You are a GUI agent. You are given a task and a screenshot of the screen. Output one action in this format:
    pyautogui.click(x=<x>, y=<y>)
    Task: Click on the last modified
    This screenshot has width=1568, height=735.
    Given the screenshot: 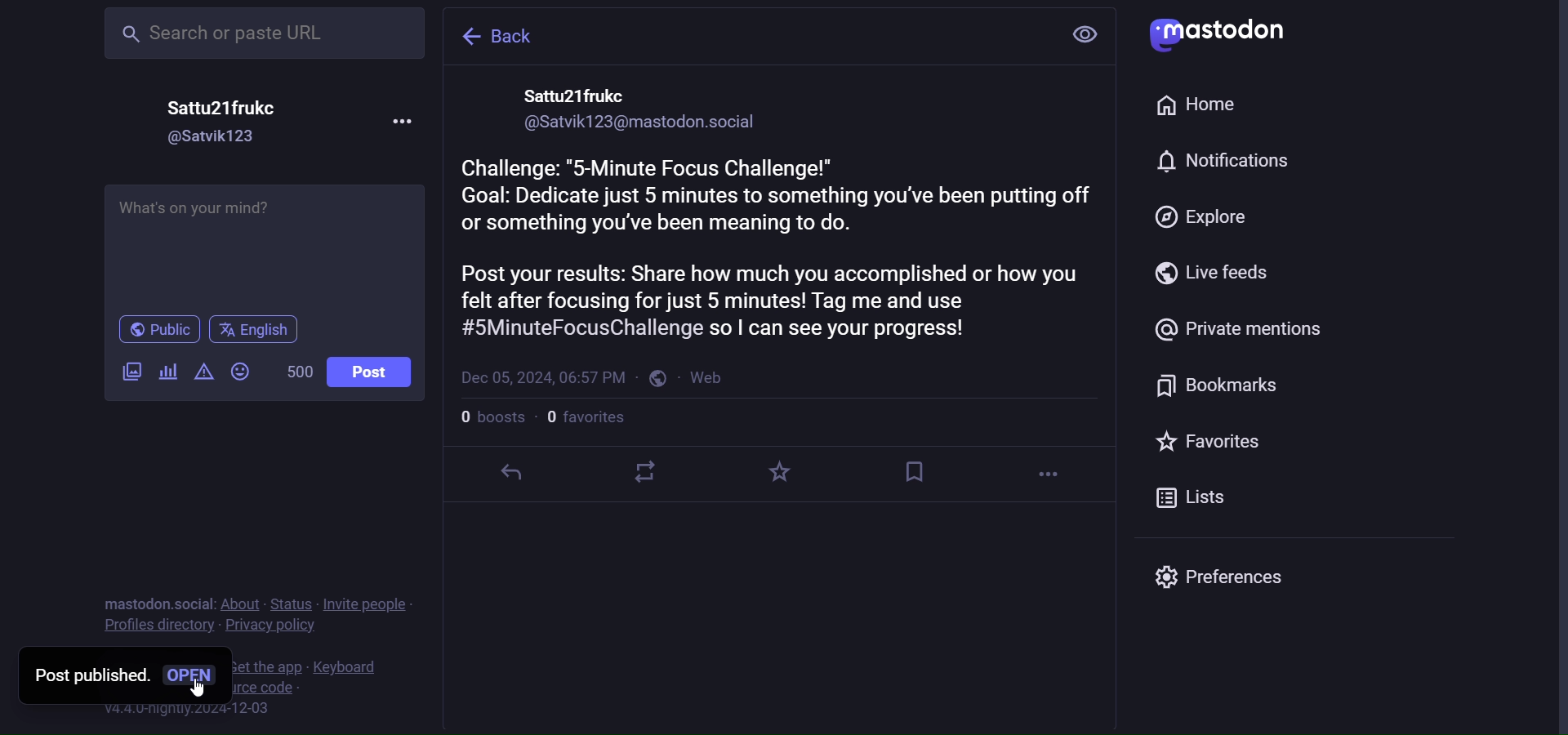 What is the action you would take?
    pyautogui.click(x=543, y=377)
    